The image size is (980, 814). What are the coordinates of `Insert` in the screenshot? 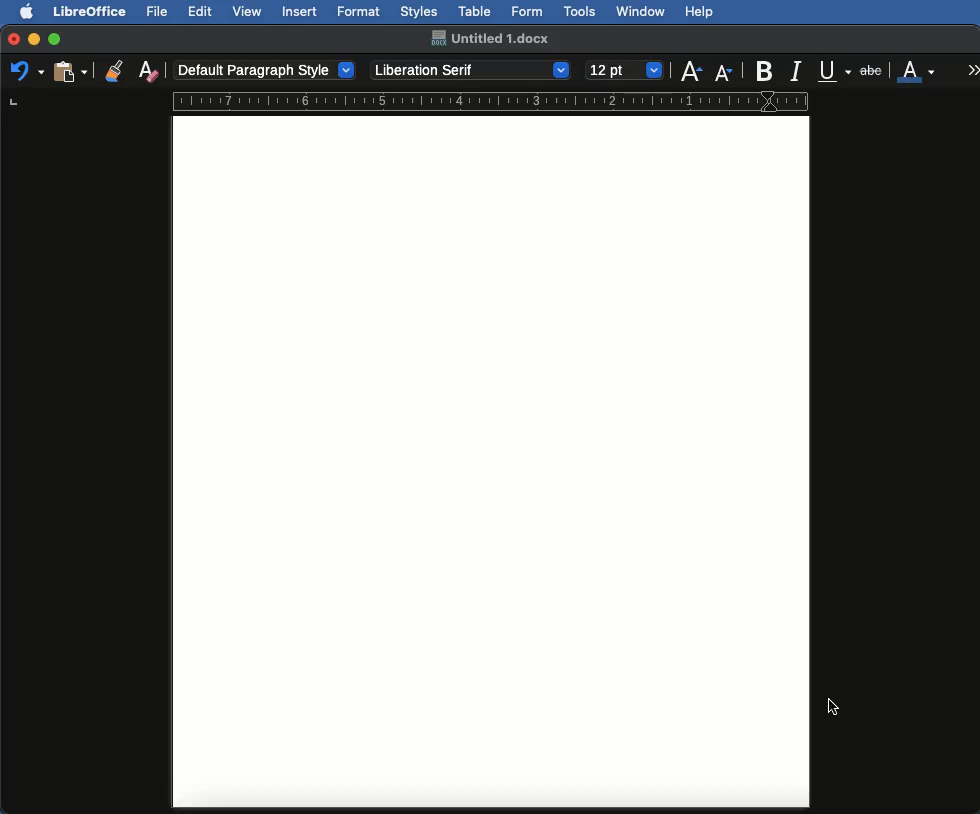 It's located at (300, 11).